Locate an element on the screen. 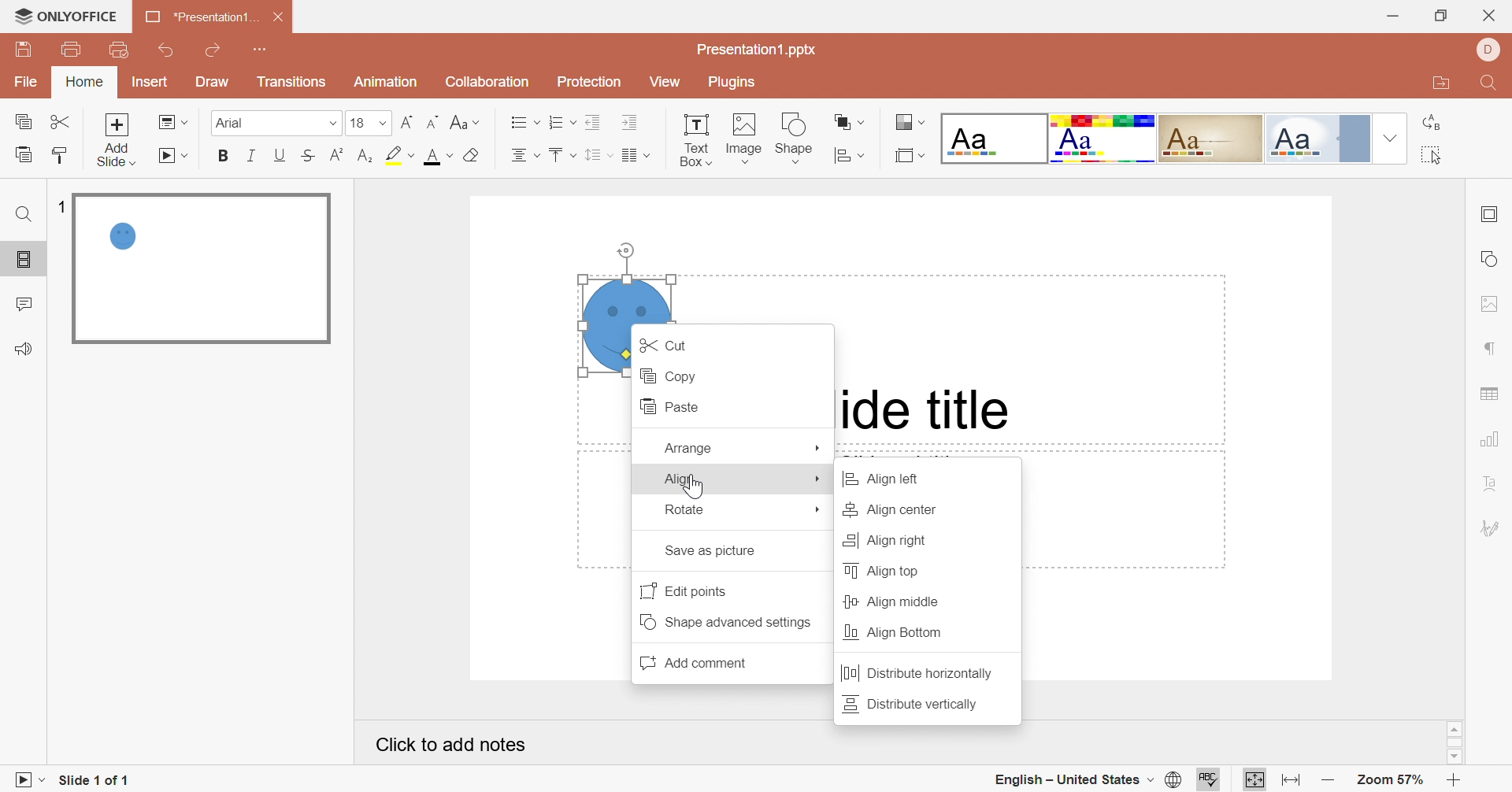  Change color settings is located at coordinates (911, 124).